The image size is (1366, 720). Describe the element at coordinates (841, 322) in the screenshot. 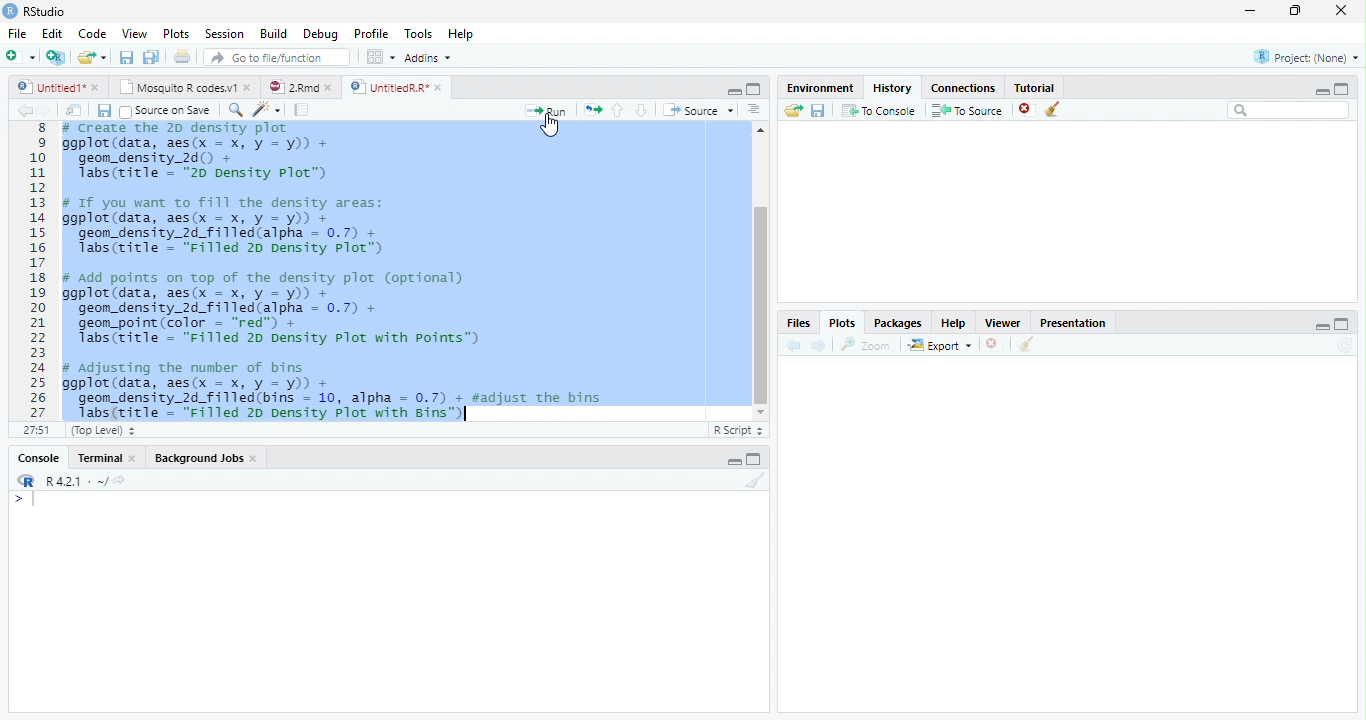

I see `Plots` at that location.